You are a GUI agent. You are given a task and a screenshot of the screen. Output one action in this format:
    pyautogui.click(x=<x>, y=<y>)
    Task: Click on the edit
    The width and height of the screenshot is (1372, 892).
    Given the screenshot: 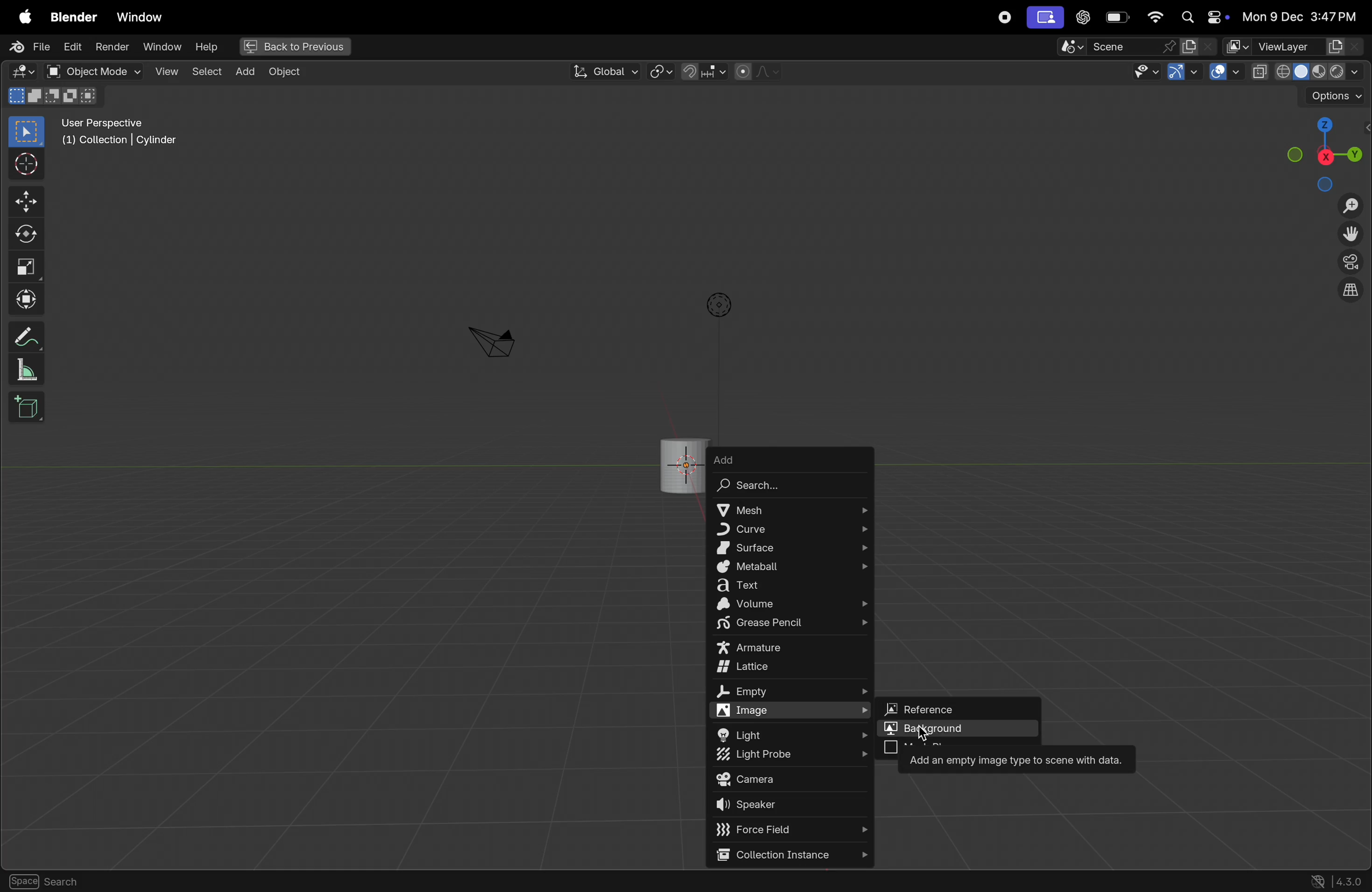 What is the action you would take?
    pyautogui.click(x=73, y=48)
    